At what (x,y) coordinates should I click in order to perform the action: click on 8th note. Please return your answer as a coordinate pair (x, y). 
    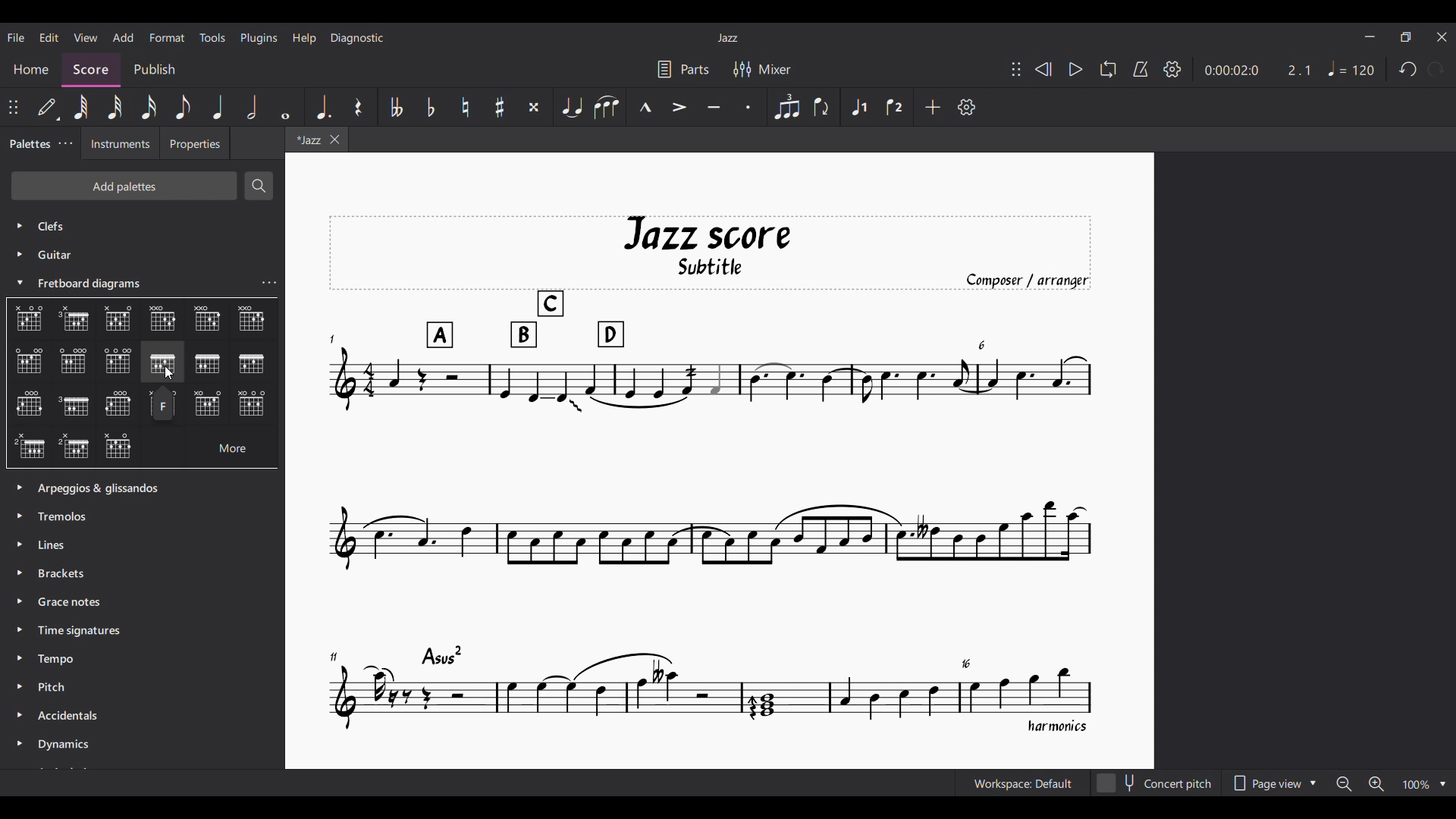
    Looking at the image, I should click on (183, 107).